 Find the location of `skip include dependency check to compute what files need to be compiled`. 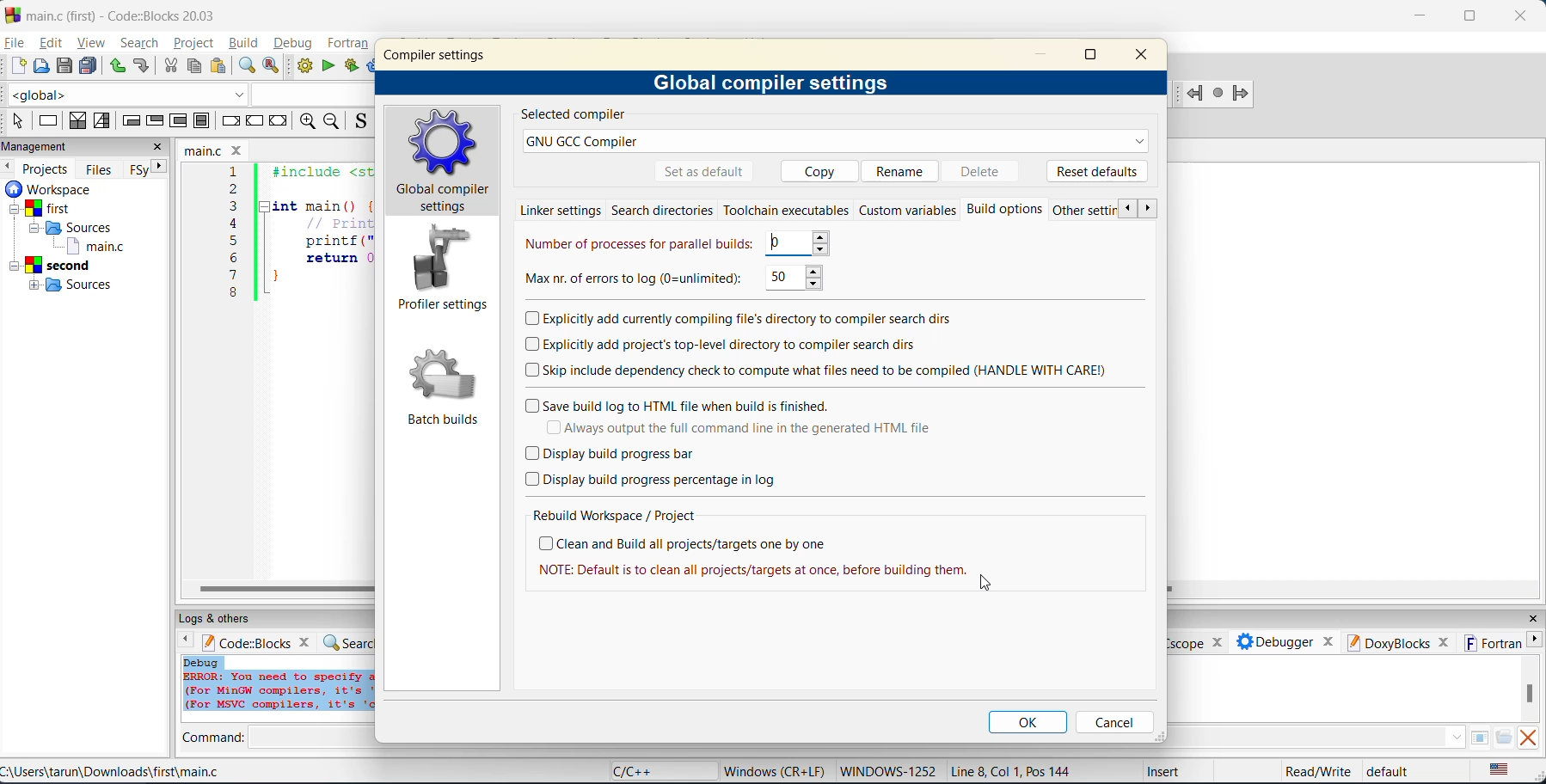

skip include dependency check to compute what files need to be compiled is located at coordinates (819, 369).